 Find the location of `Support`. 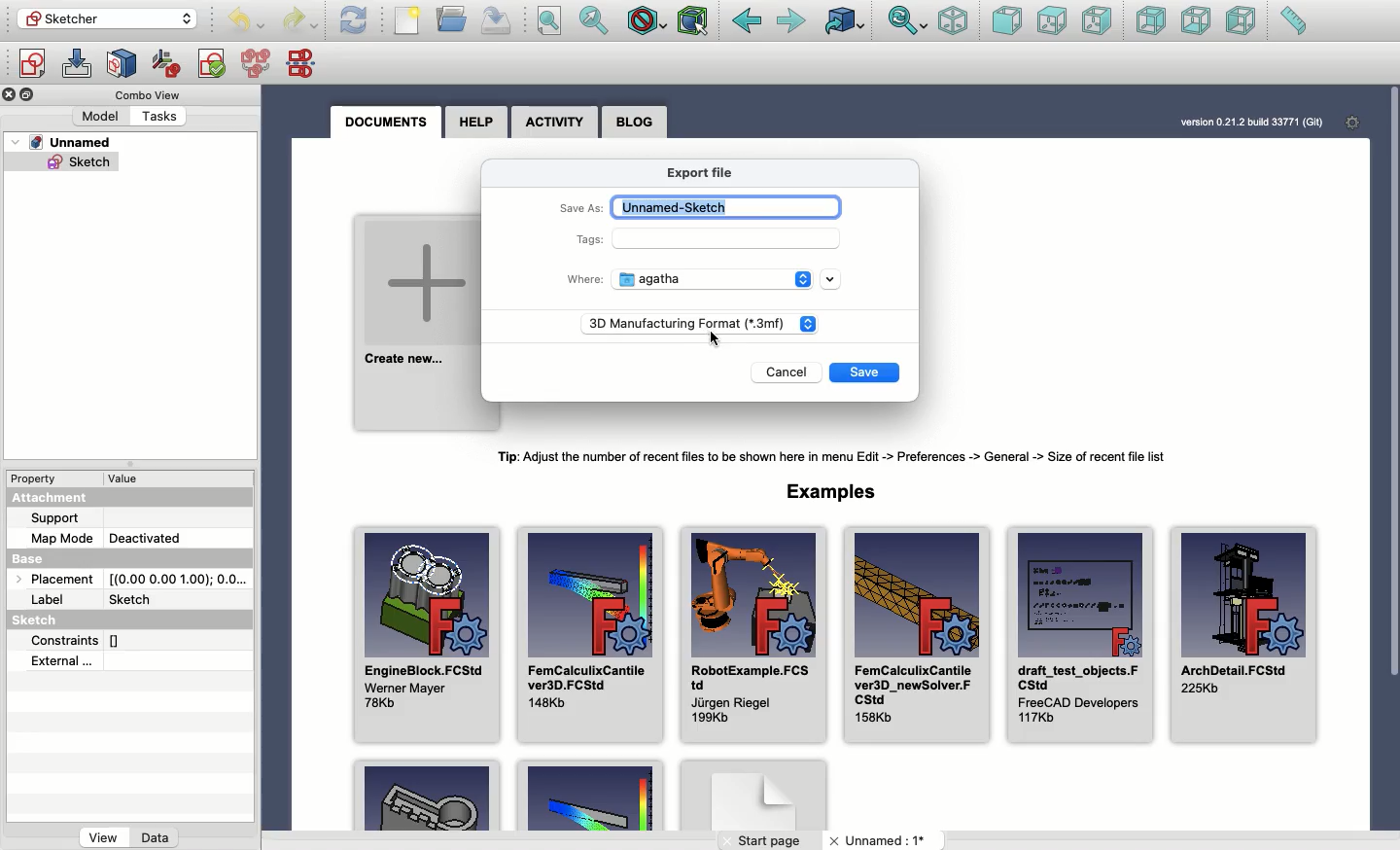

Support is located at coordinates (60, 517).